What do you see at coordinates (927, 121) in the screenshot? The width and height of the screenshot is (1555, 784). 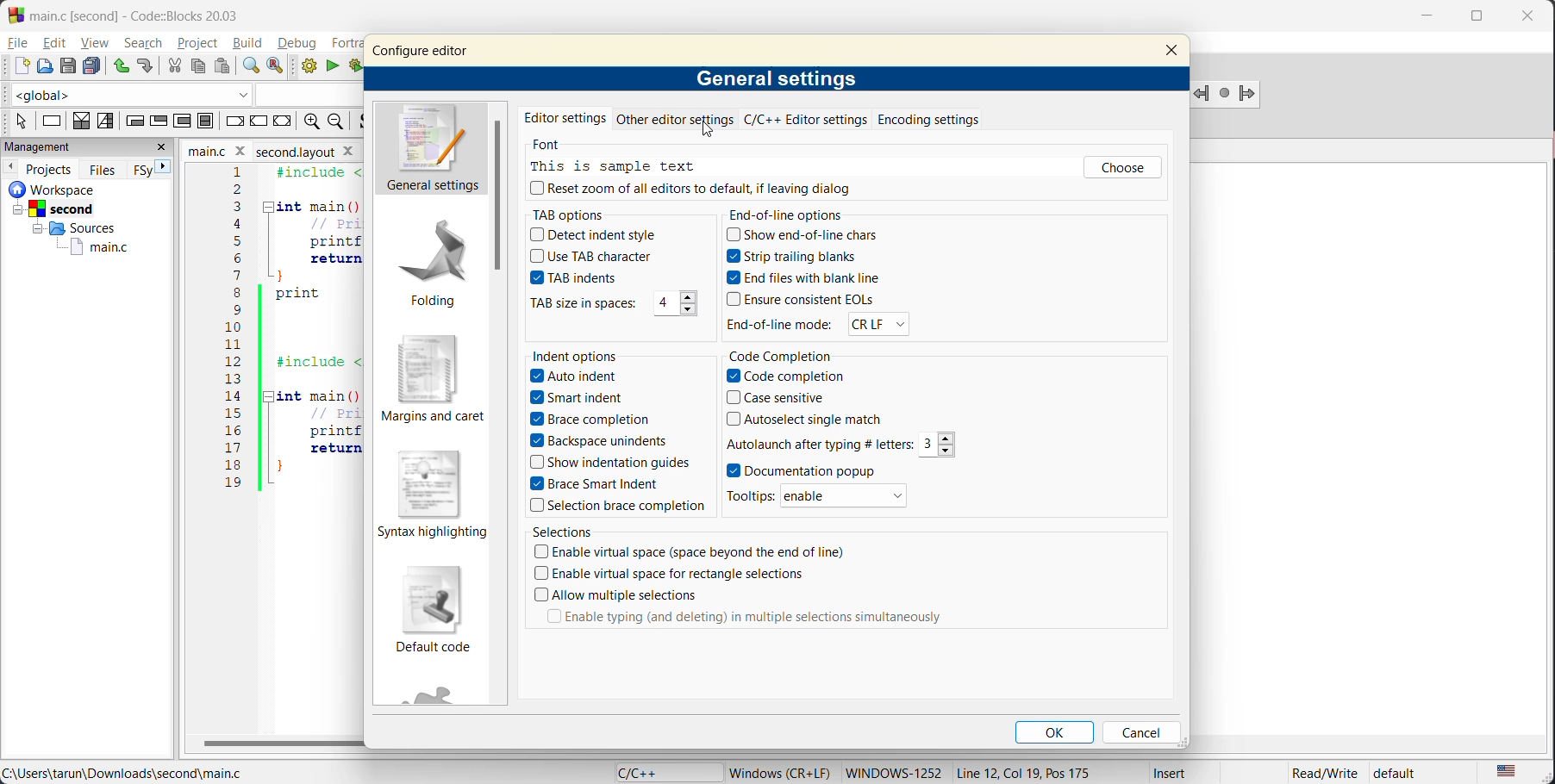 I see `encoding settings` at bounding box center [927, 121].